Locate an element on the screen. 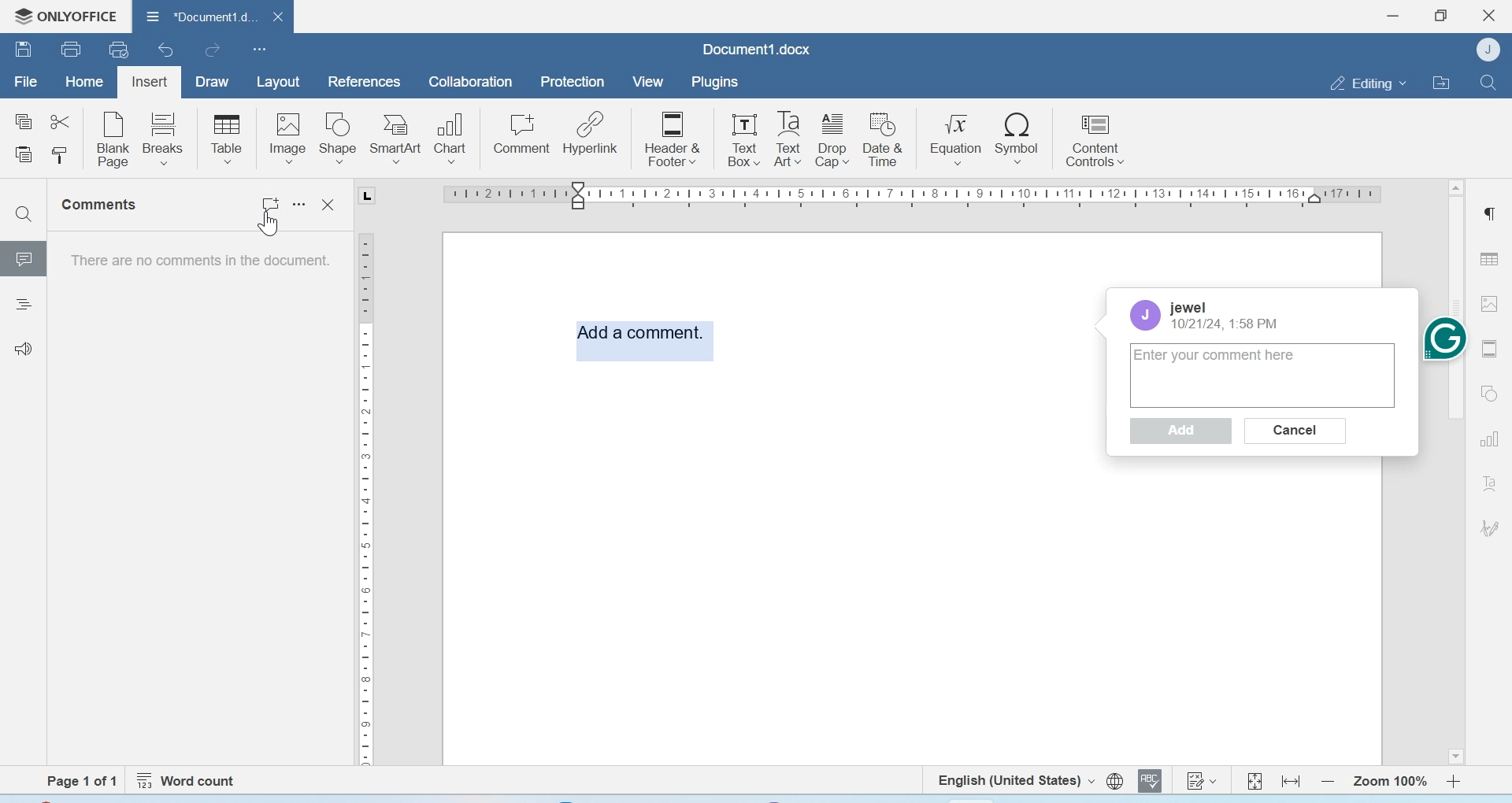 The image size is (1512, 803). Set text language is located at coordinates (1014, 779).